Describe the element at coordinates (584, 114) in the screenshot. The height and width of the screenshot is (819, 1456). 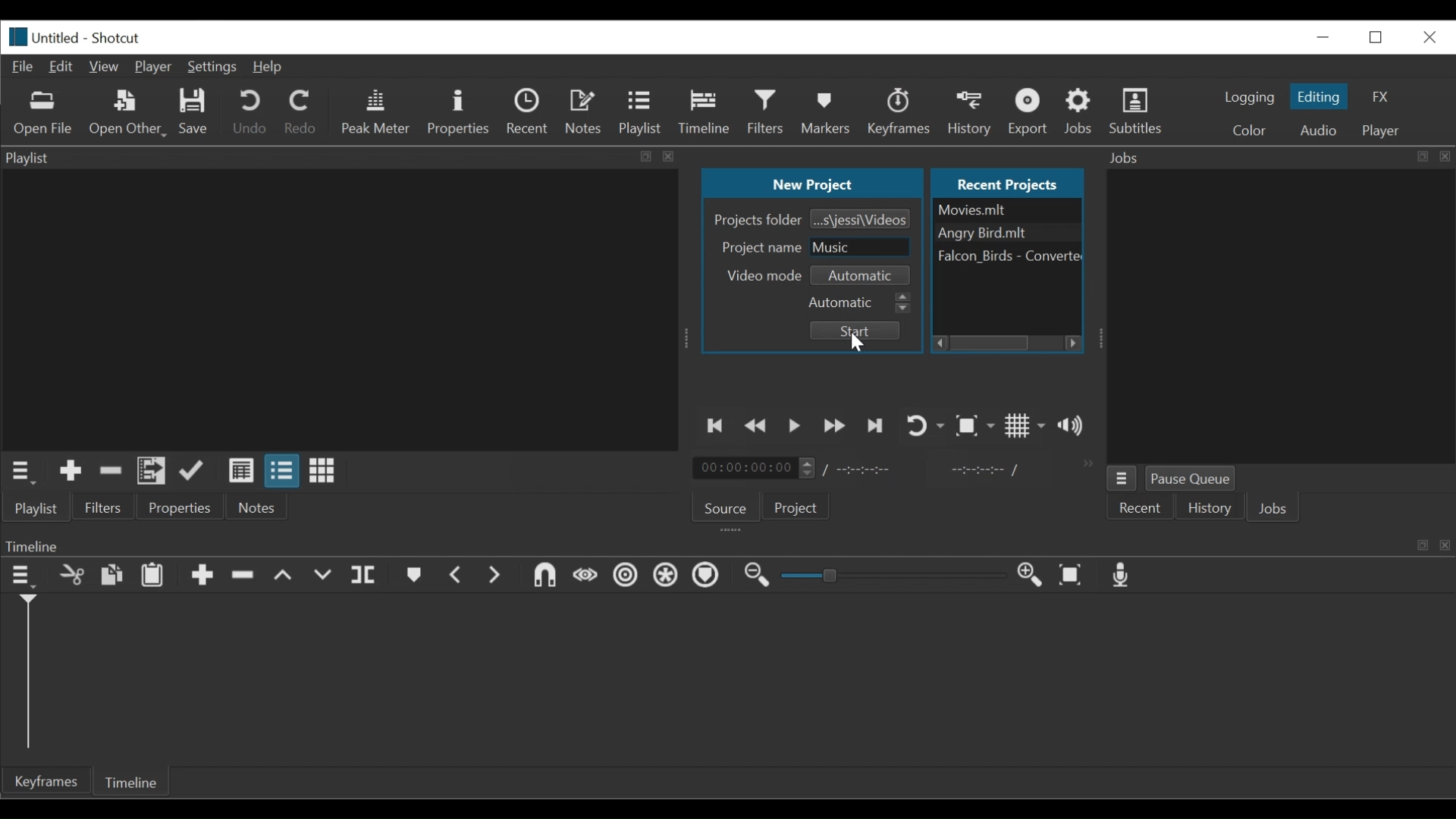
I see `Notes` at that location.